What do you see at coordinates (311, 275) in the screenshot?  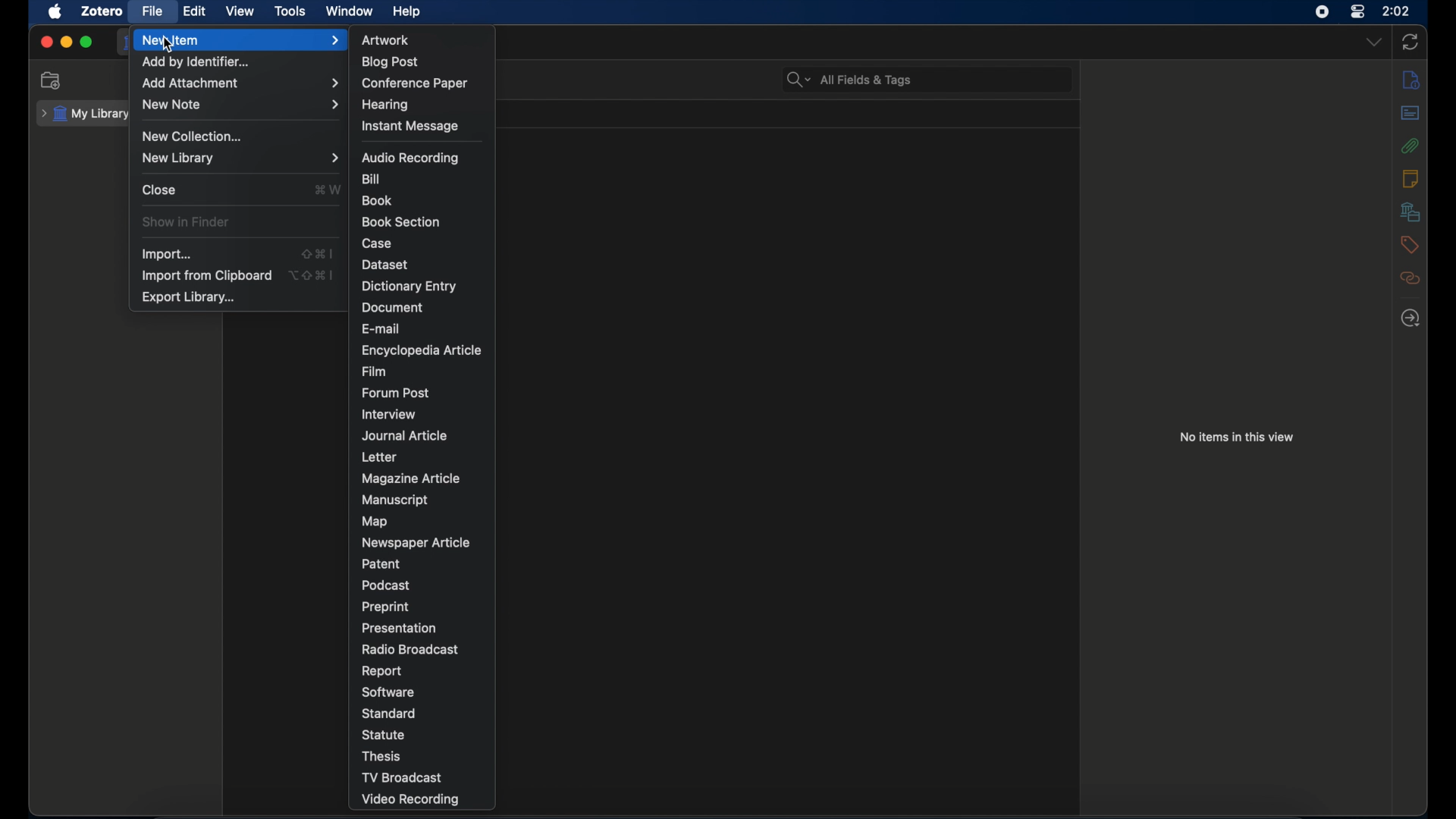 I see `shortcut` at bounding box center [311, 275].